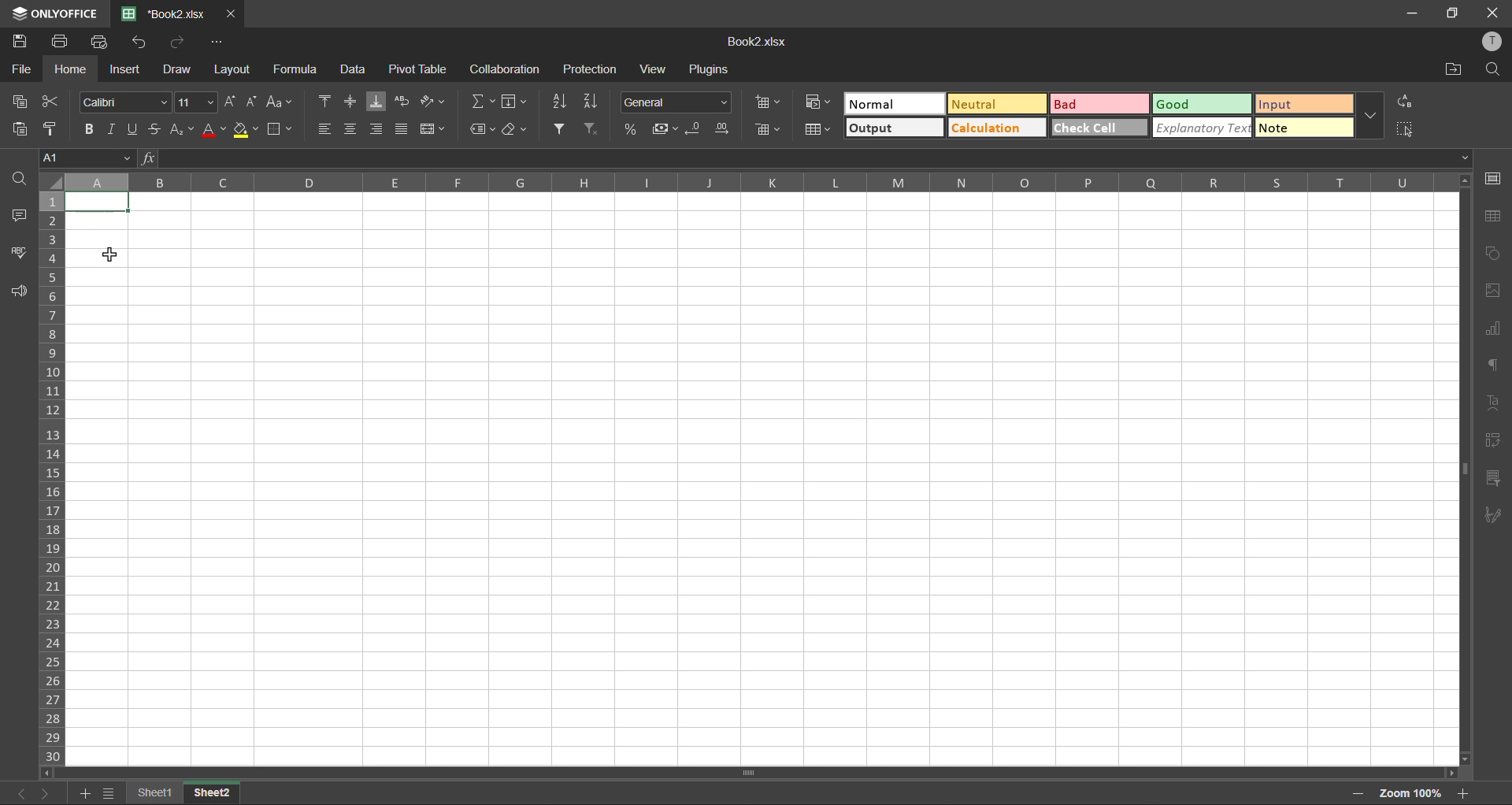 This screenshot has width=1512, height=805. Describe the element at coordinates (1495, 43) in the screenshot. I see `profile` at that location.